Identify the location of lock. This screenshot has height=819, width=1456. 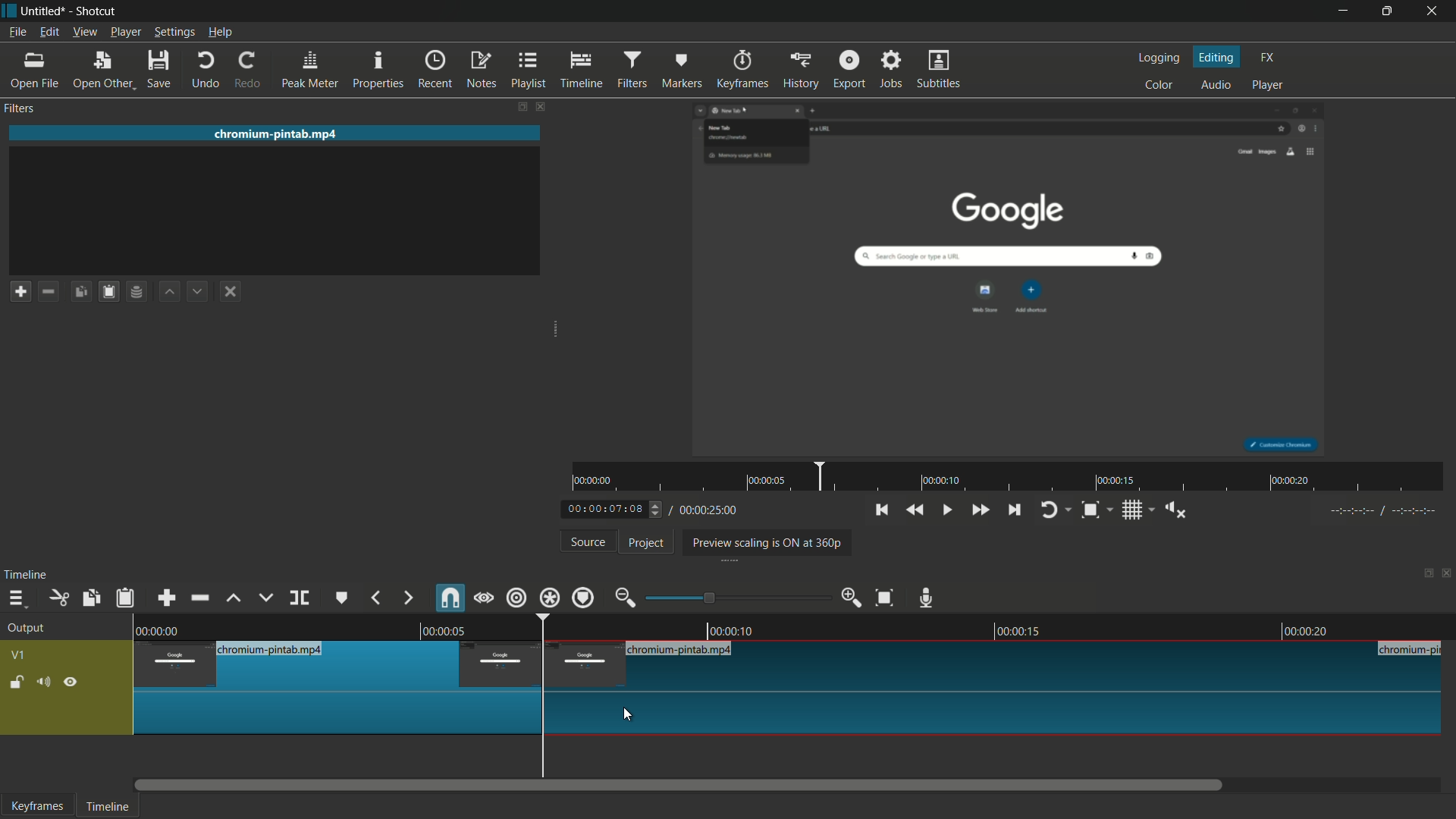
(17, 684).